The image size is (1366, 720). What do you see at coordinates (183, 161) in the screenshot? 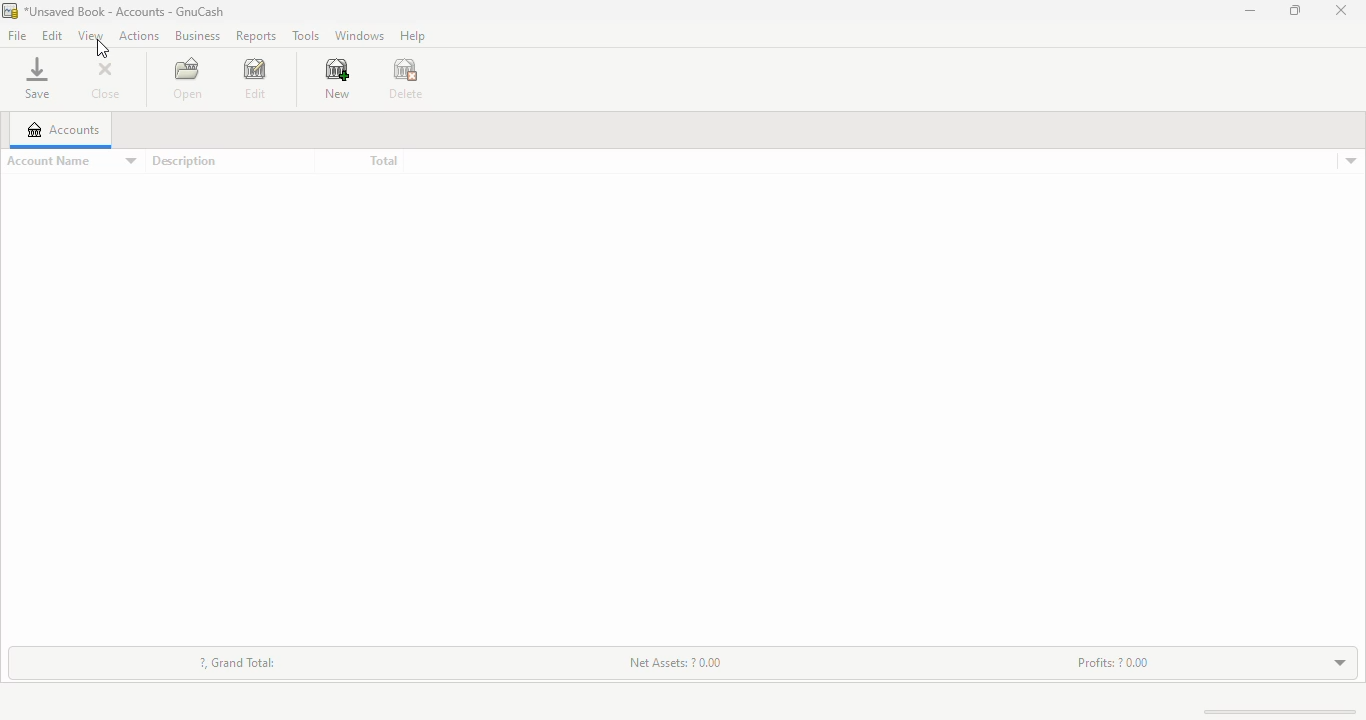
I see `description` at bounding box center [183, 161].